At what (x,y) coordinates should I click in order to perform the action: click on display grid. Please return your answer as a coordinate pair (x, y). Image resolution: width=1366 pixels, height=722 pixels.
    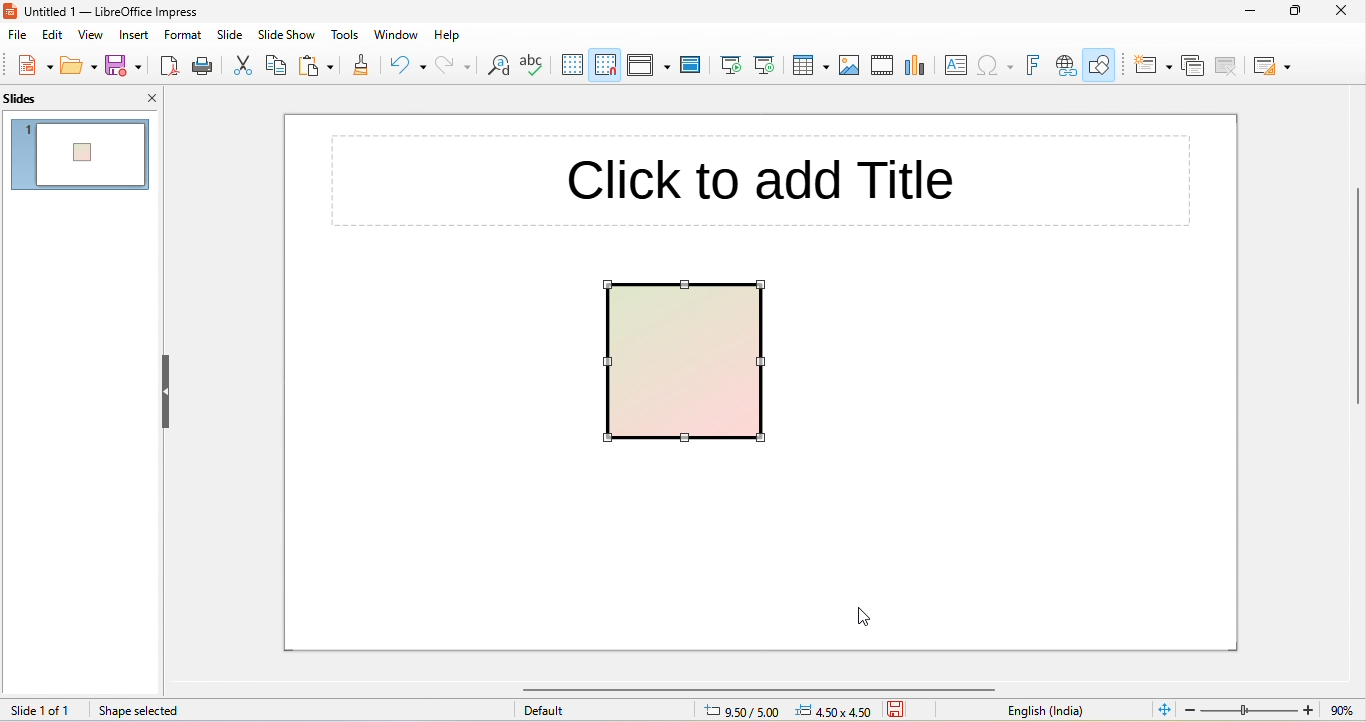
    Looking at the image, I should click on (571, 64).